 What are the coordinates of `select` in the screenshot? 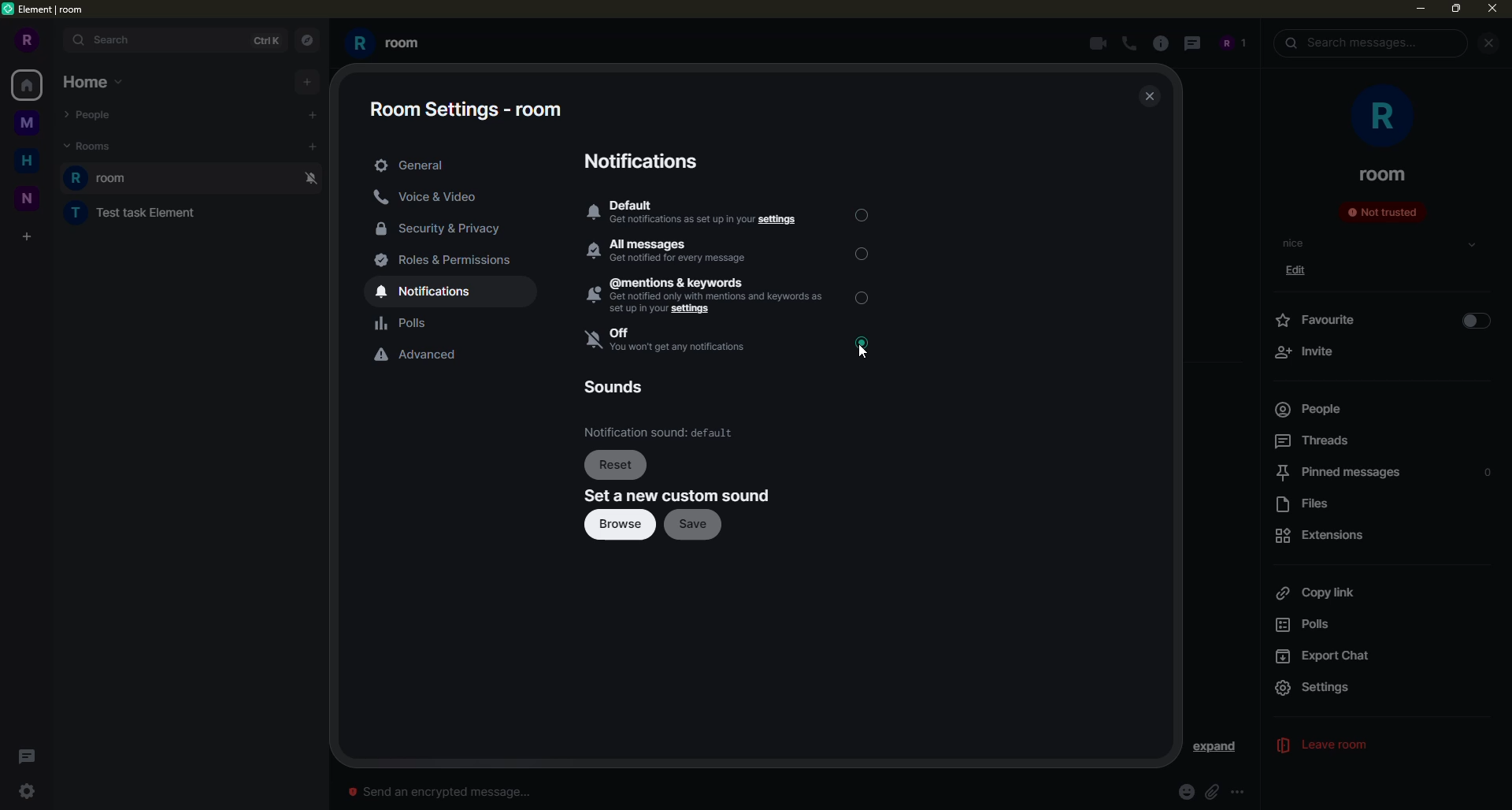 It's located at (1472, 245).